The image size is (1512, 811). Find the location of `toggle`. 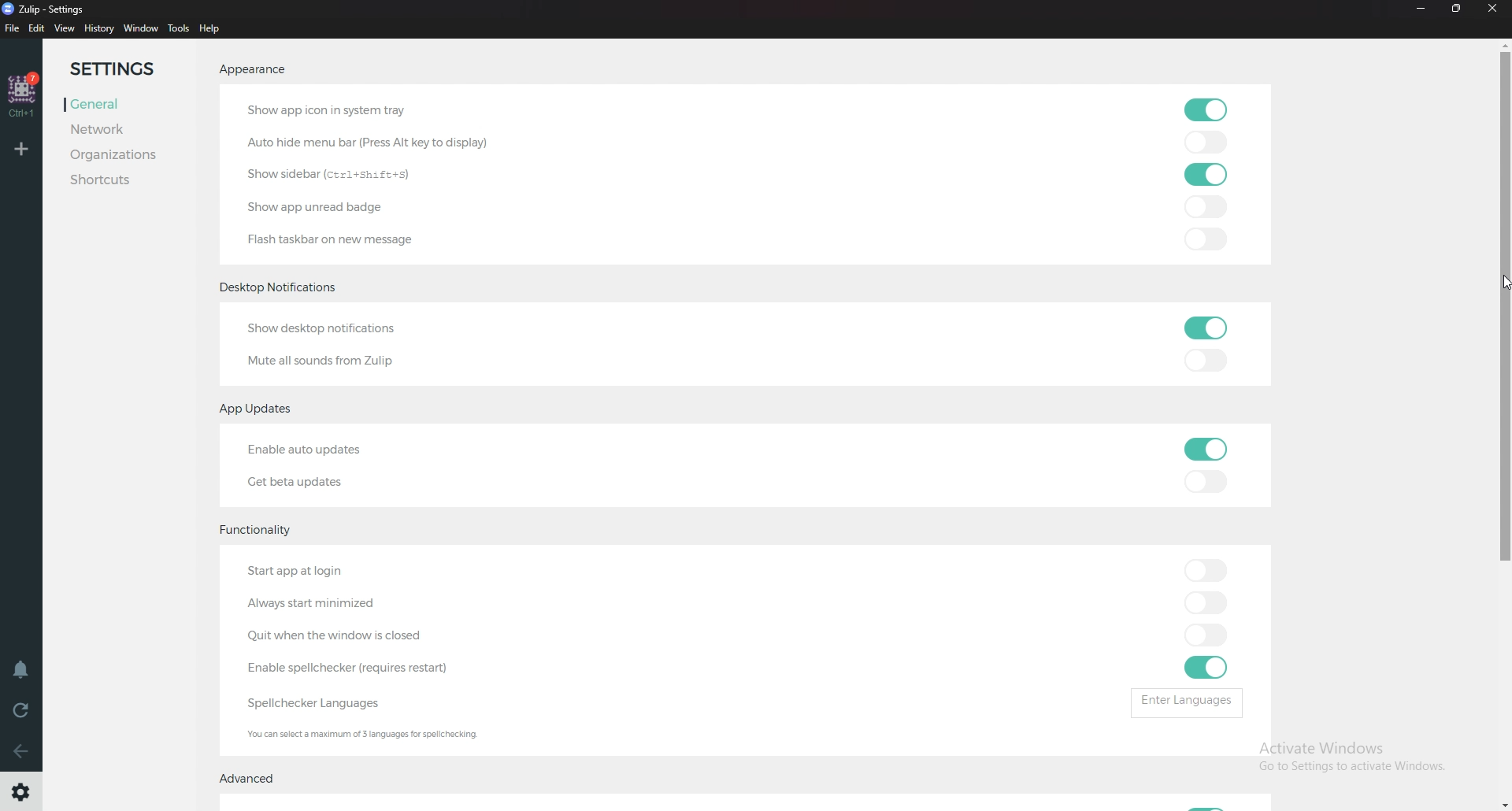

toggle is located at coordinates (1208, 109).